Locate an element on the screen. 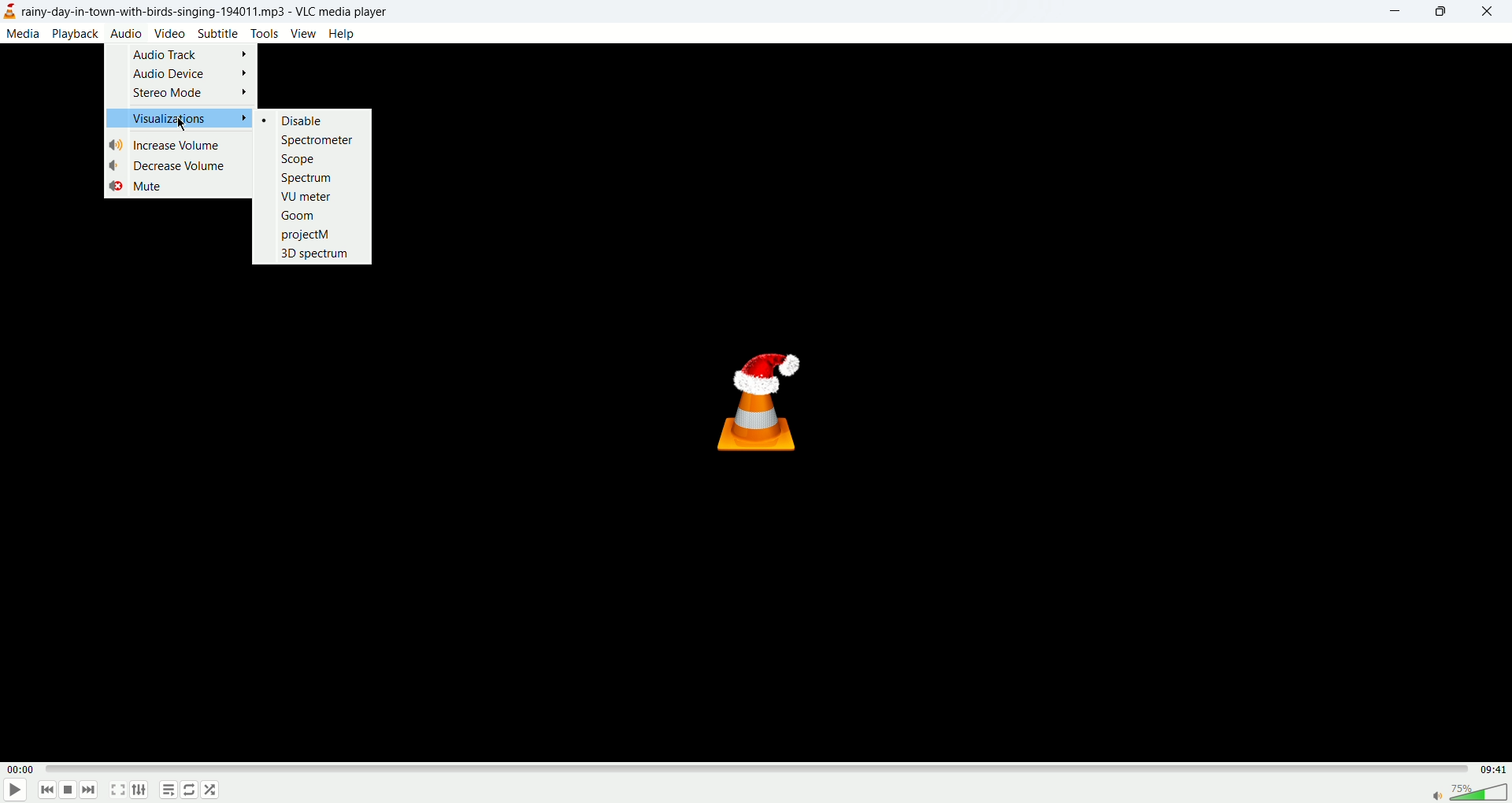 Image resolution: width=1512 pixels, height=803 pixels. next is located at coordinates (92, 792).